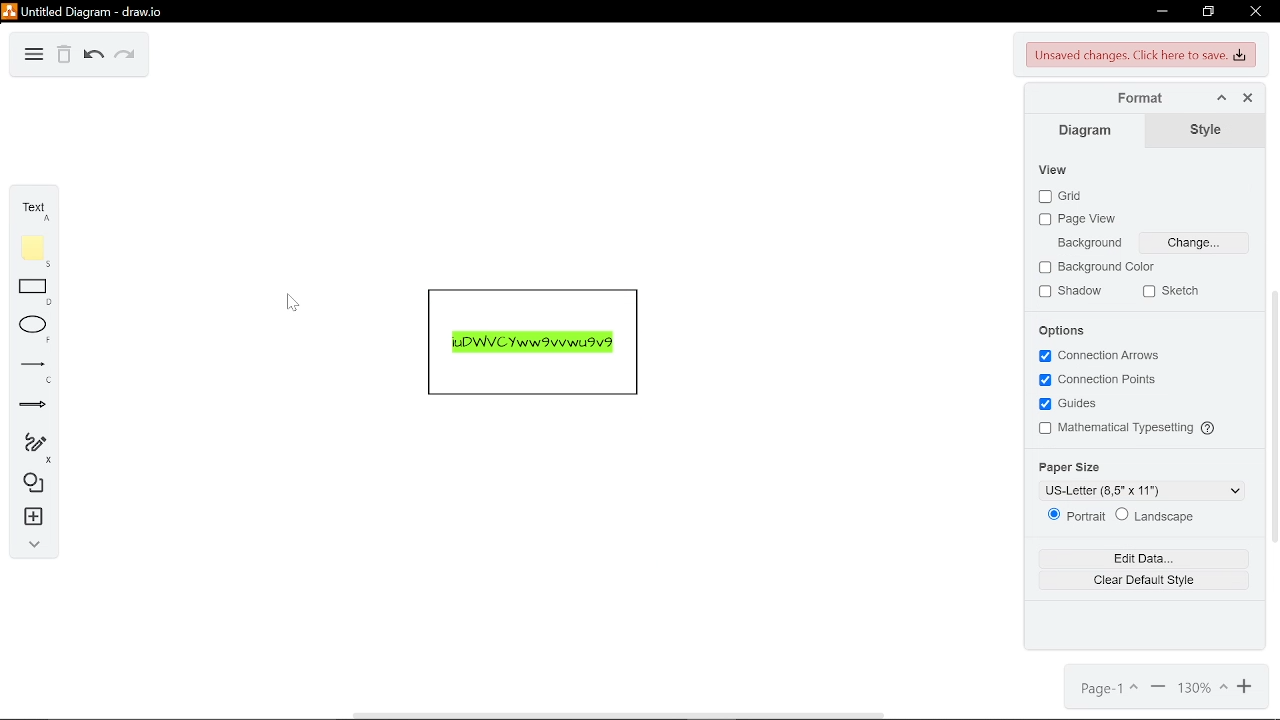 Image resolution: width=1280 pixels, height=720 pixels. Describe the element at coordinates (1242, 690) in the screenshot. I see `zoom in` at that location.